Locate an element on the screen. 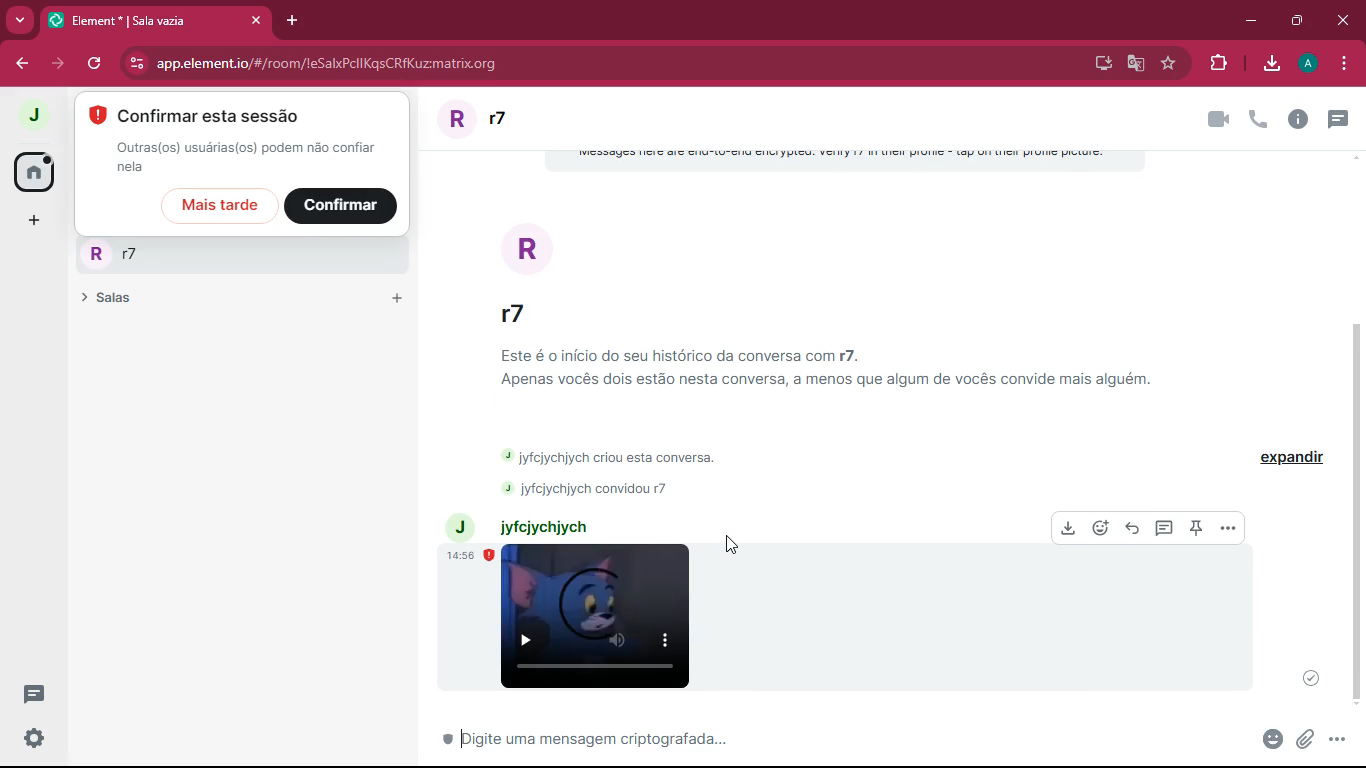 The image size is (1366, 768). message is located at coordinates (720, 737).